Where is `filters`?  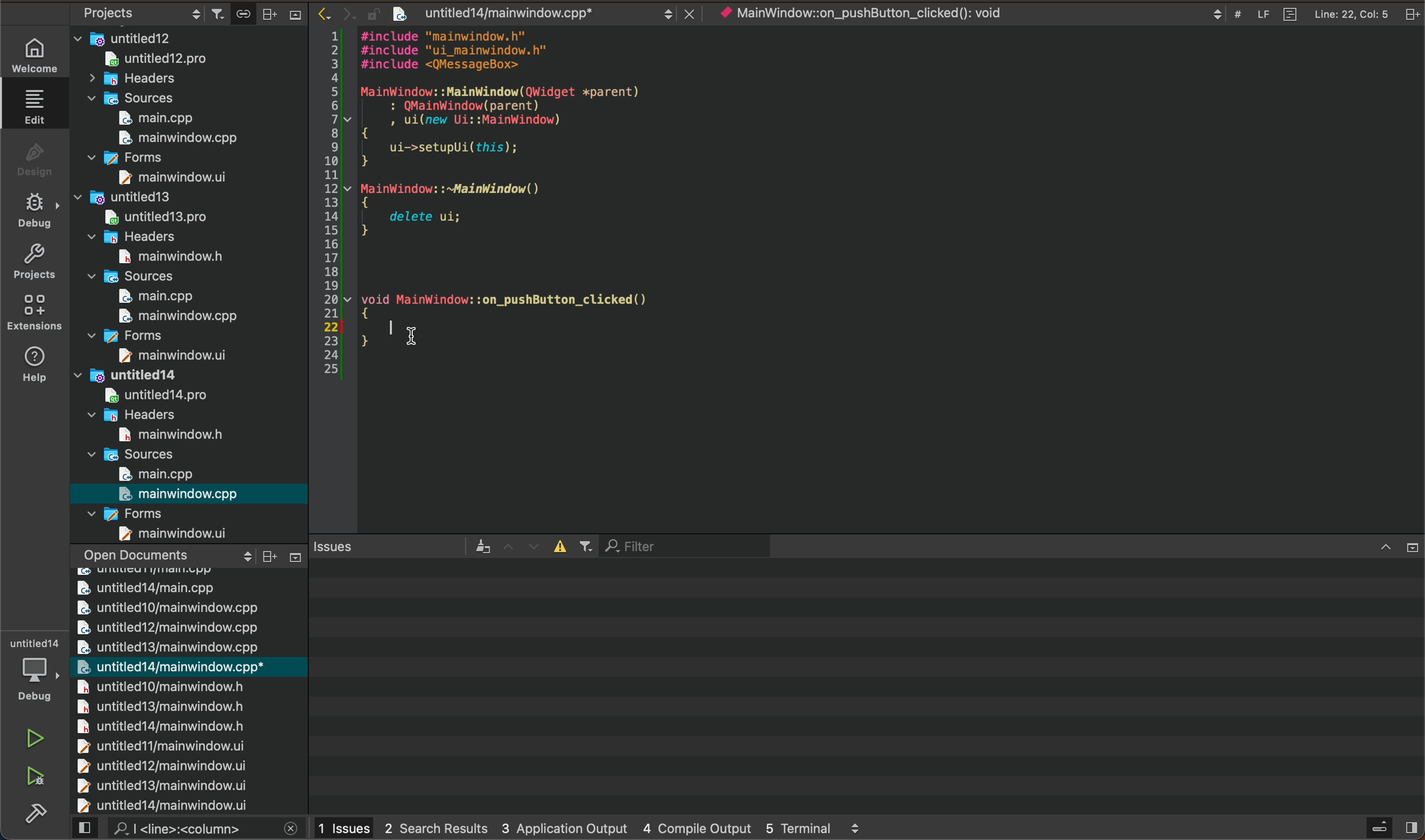 filters is located at coordinates (576, 547).